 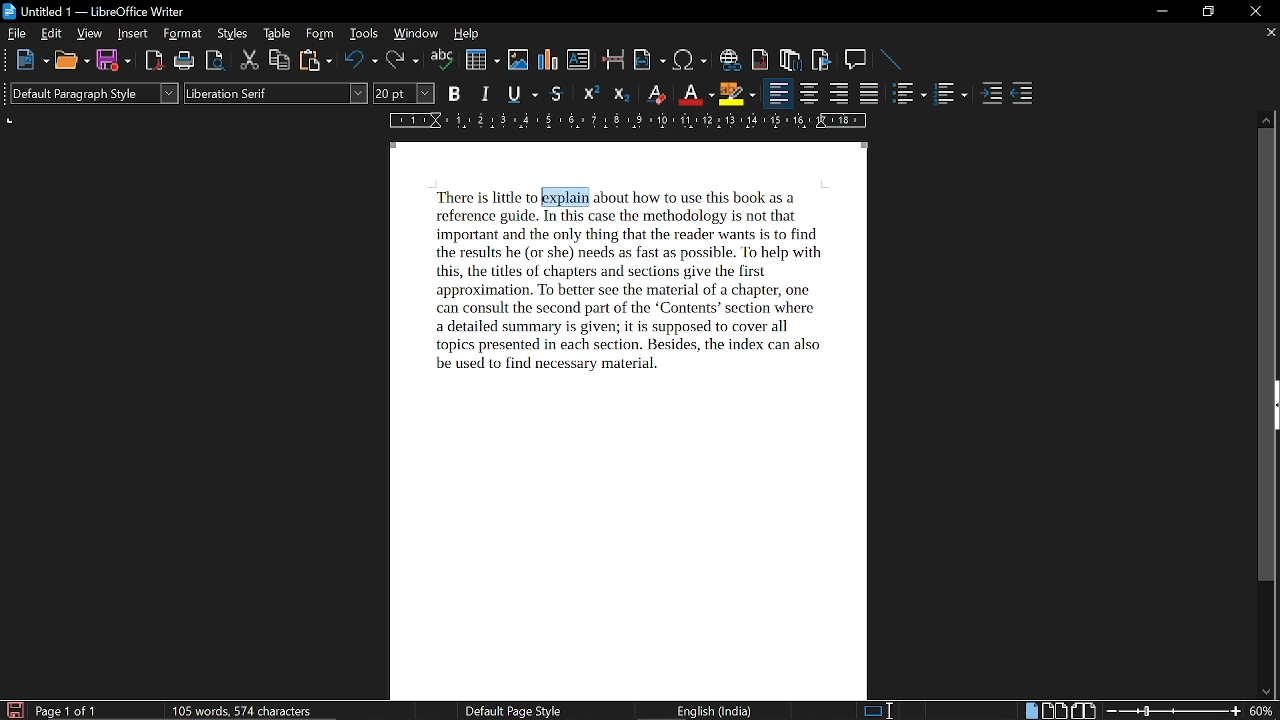 What do you see at coordinates (96, 95) in the screenshot?
I see `paragraph style` at bounding box center [96, 95].